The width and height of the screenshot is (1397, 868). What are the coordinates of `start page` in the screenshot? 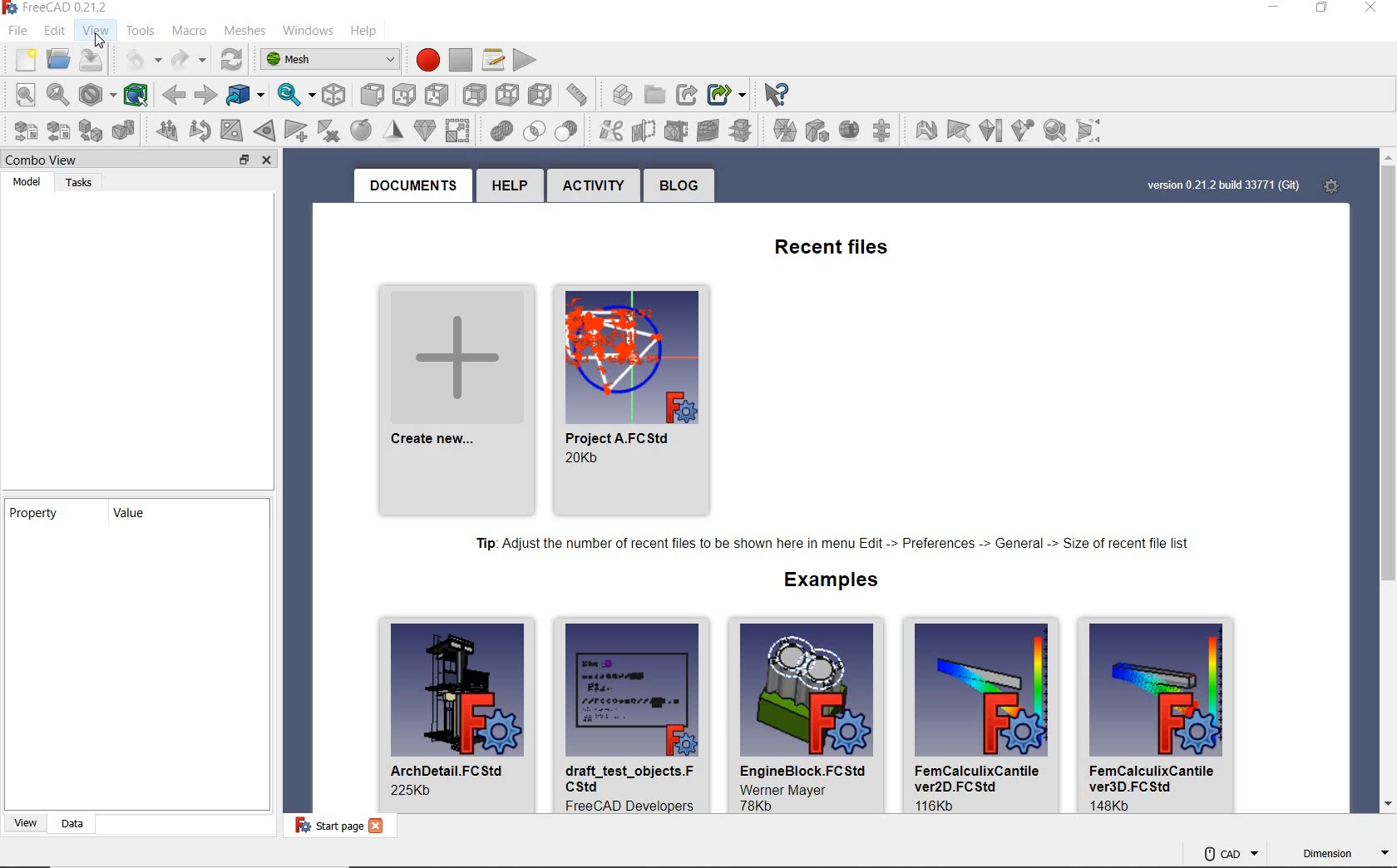 It's located at (328, 826).